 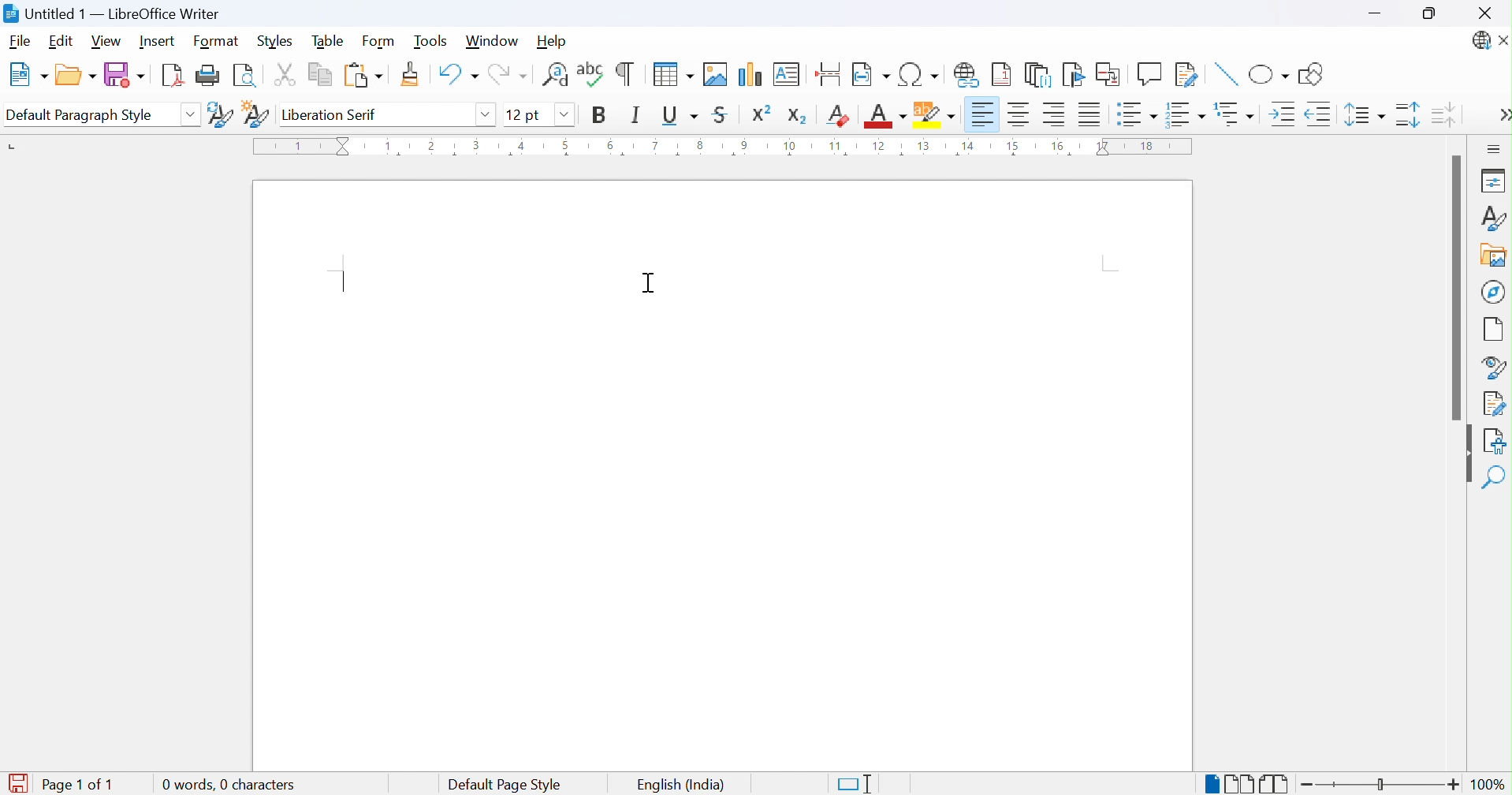 I want to click on Close, so click(x=1503, y=40).